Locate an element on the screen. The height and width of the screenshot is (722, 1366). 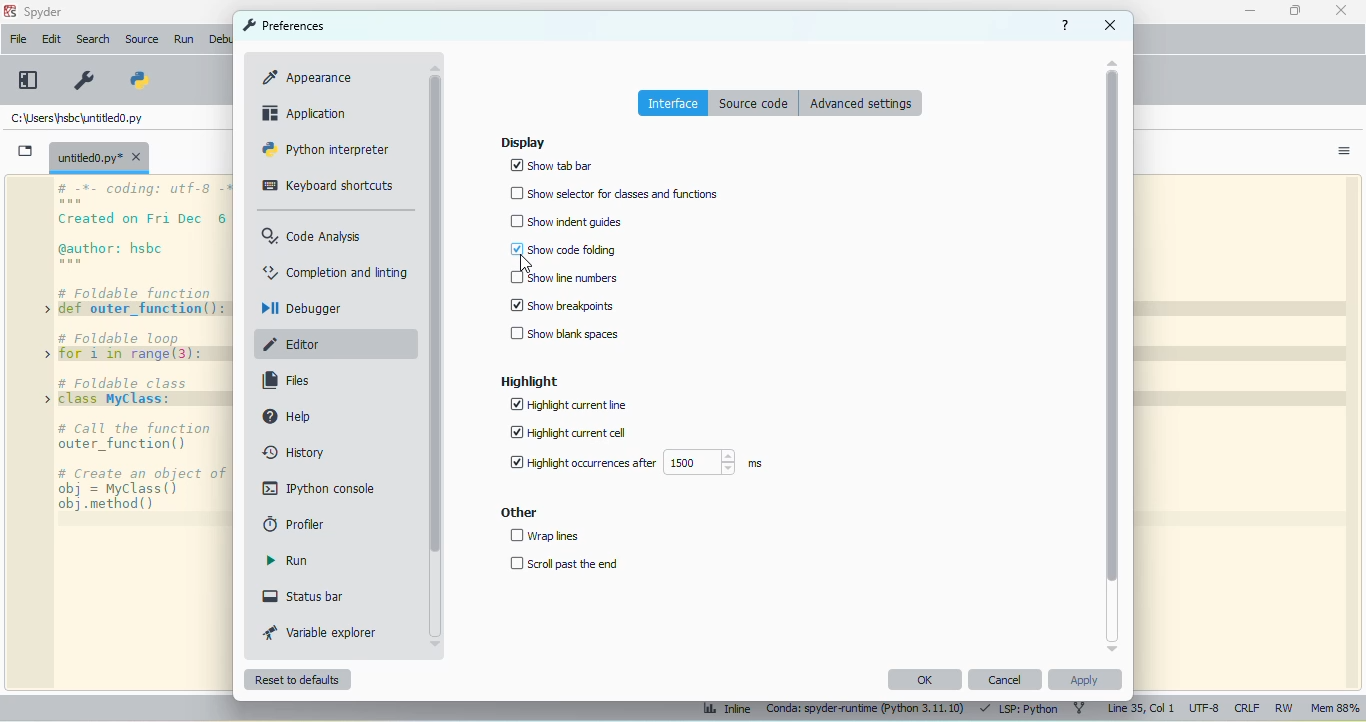
interface is located at coordinates (674, 103).